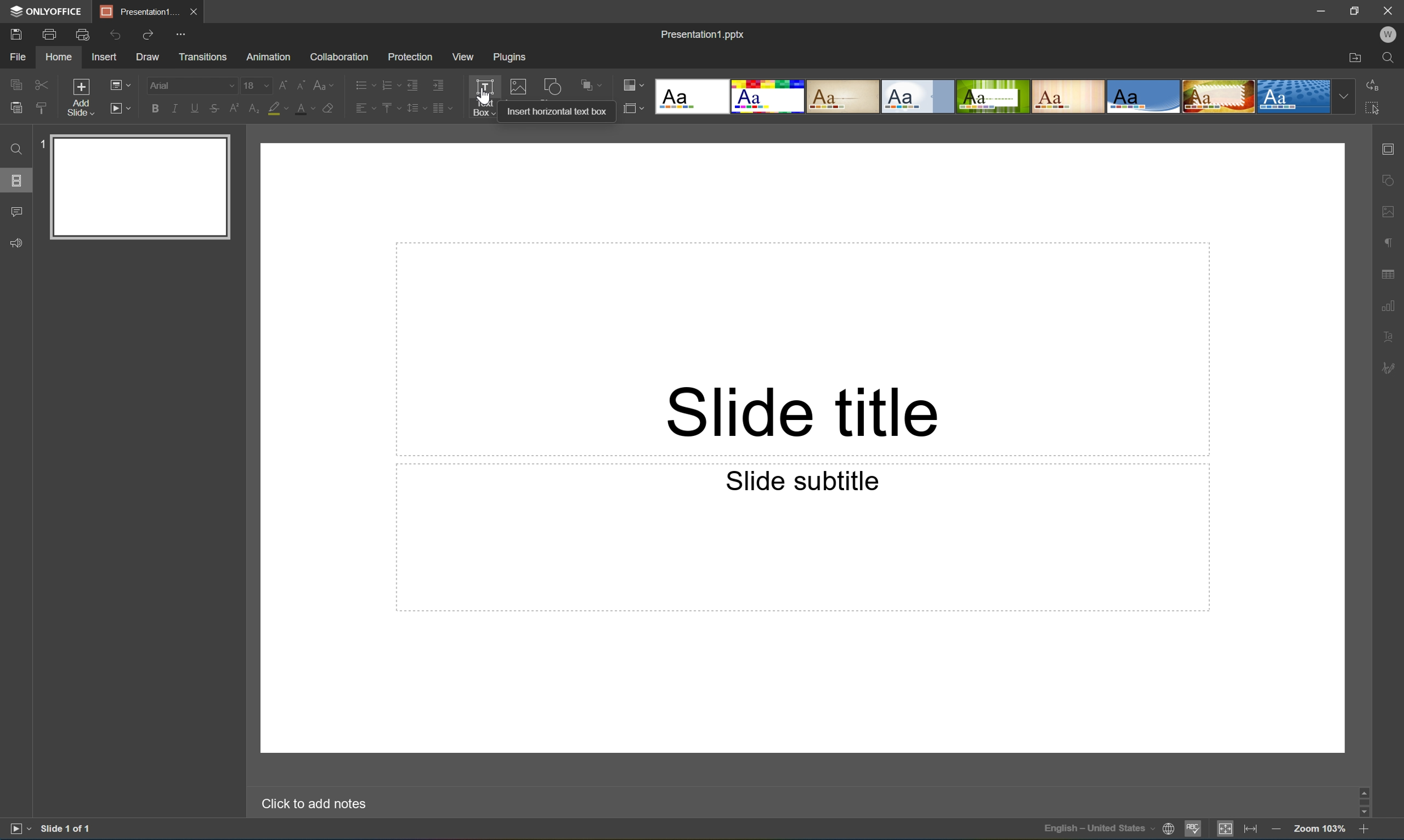  What do you see at coordinates (185, 33) in the screenshot?
I see `Customize quick access toolbar` at bounding box center [185, 33].